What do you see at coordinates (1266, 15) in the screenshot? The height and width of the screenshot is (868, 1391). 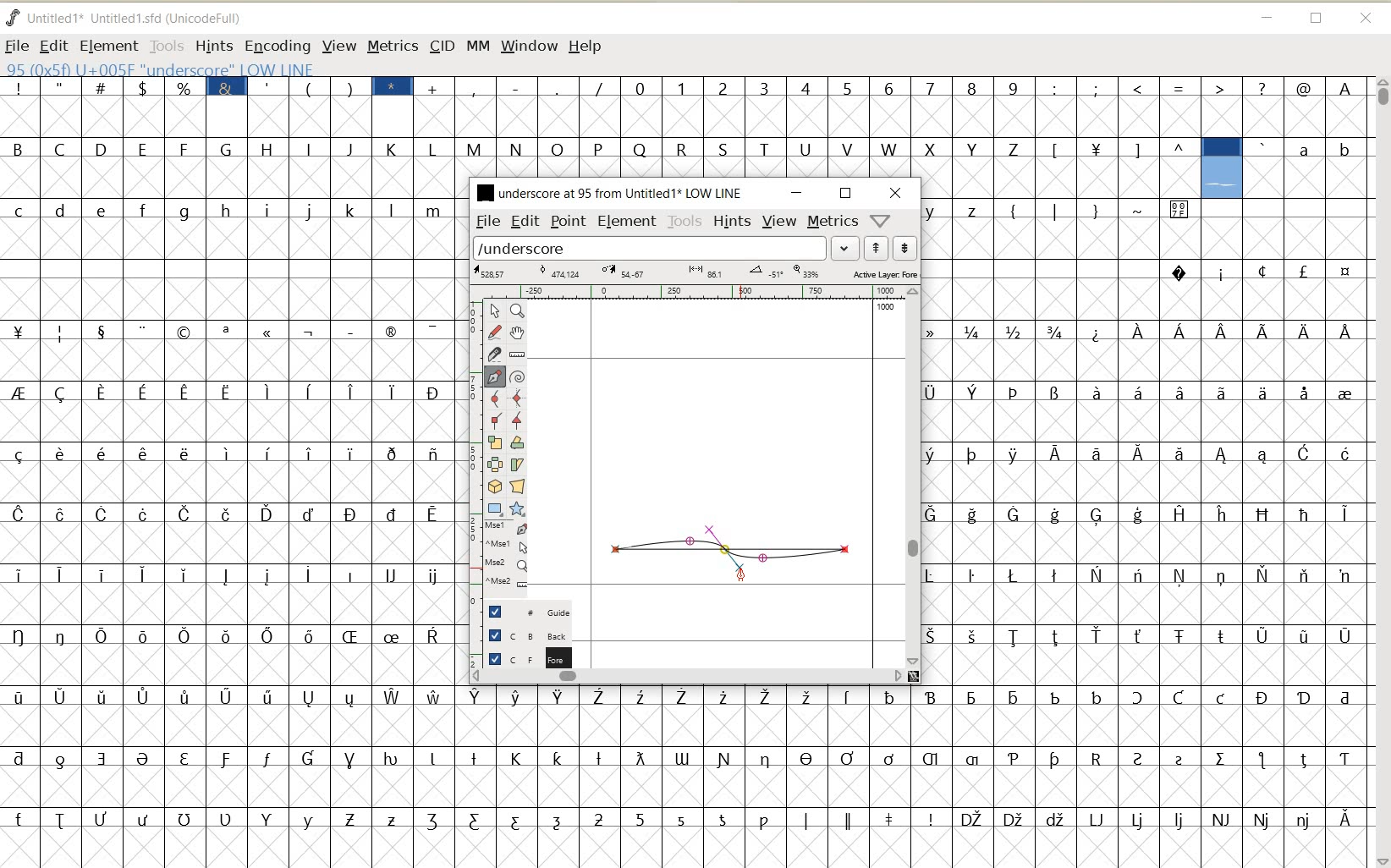 I see `MINIMIZE` at bounding box center [1266, 15].